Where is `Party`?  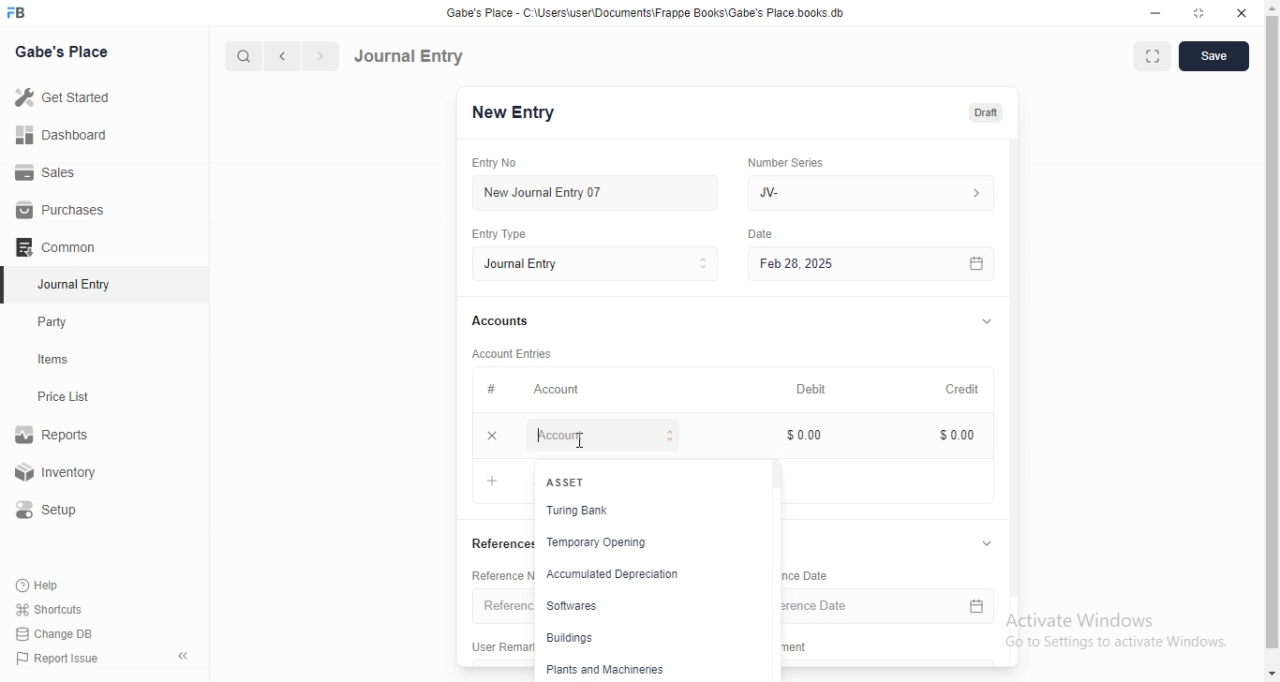 Party is located at coordinates (57, 322).